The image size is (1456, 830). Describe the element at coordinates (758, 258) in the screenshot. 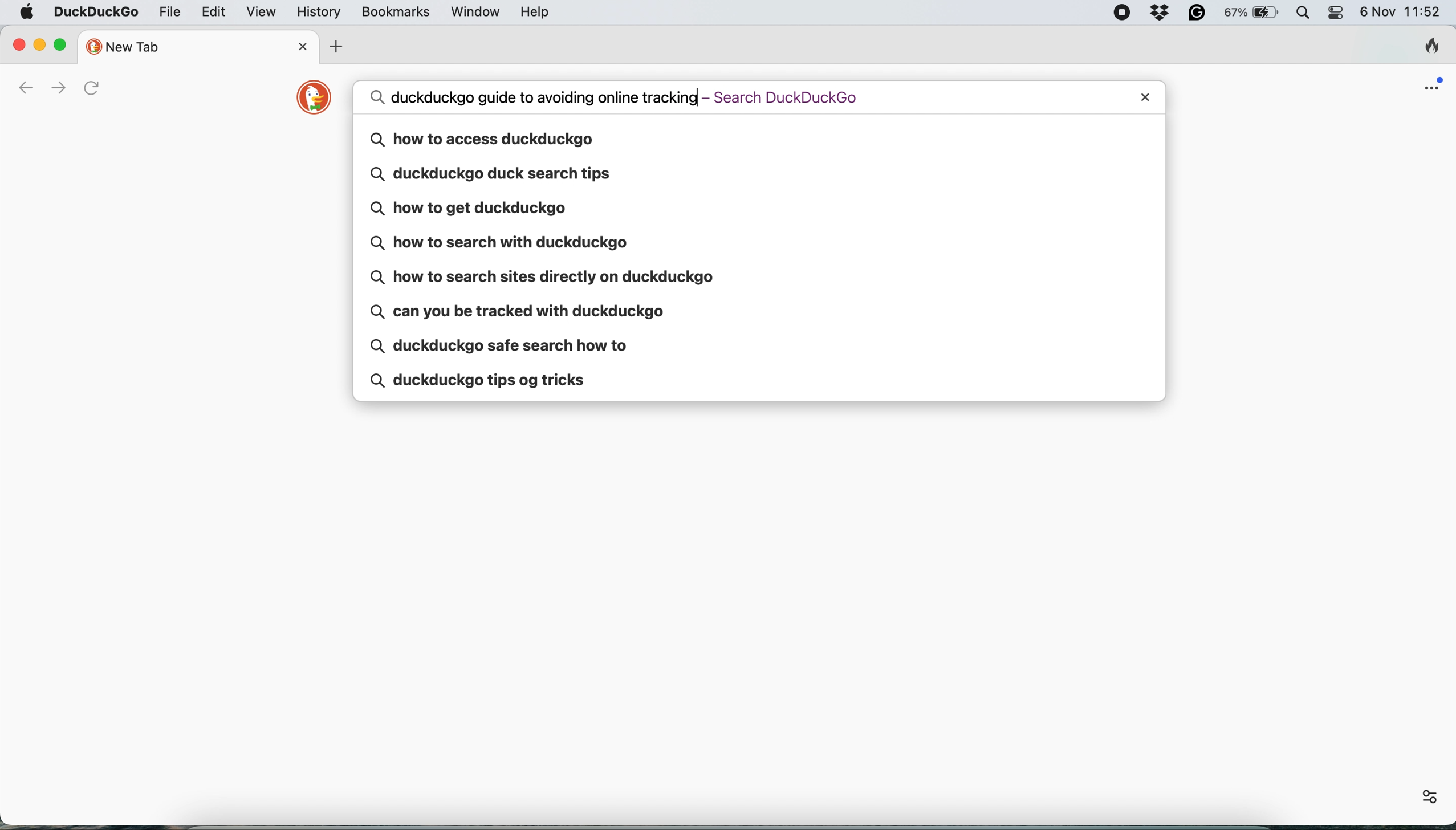

I see `search queries pop up` at that location.